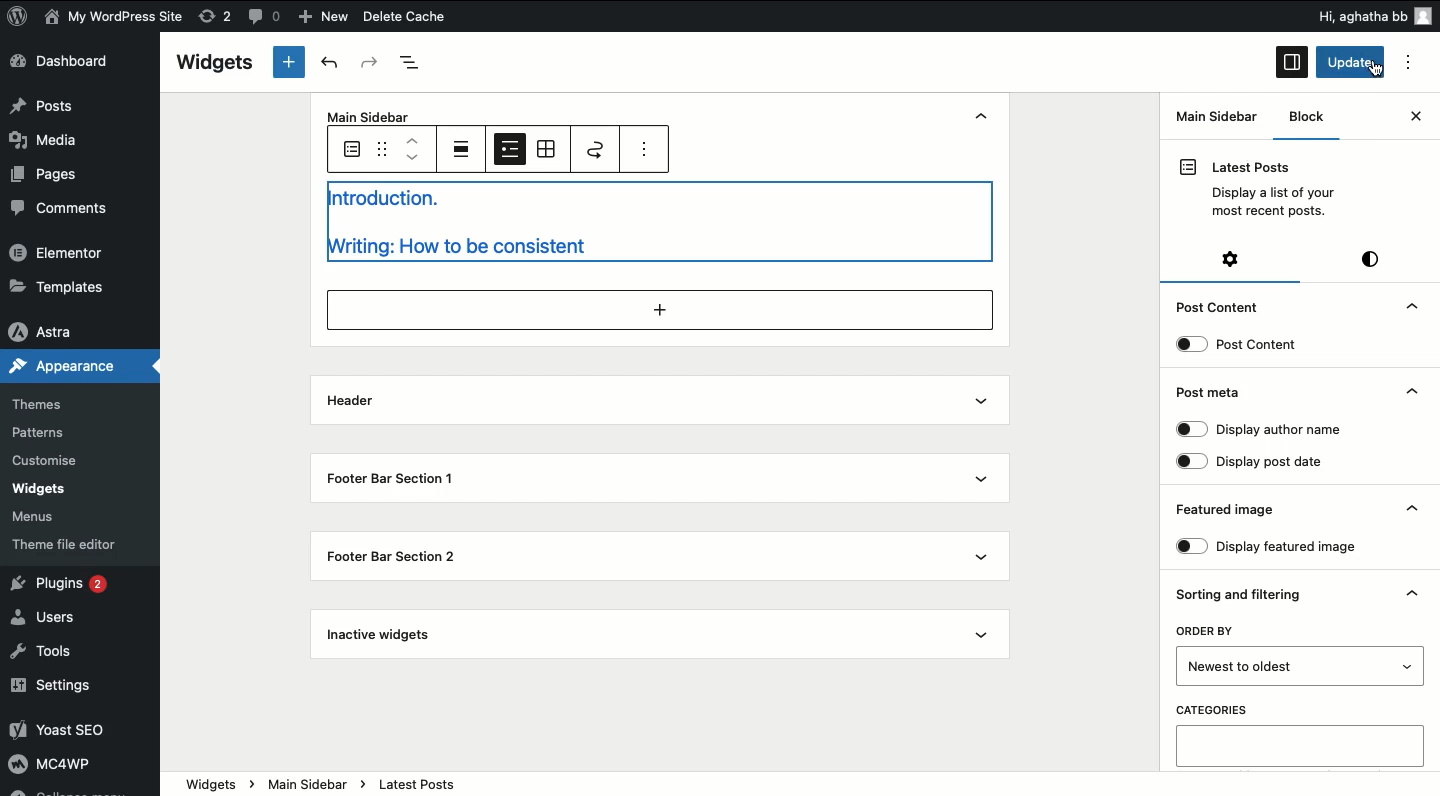  What do you see at coordinates (290, 62) in the screenshot?
I see `New tab` at bounding box center [290, 62].